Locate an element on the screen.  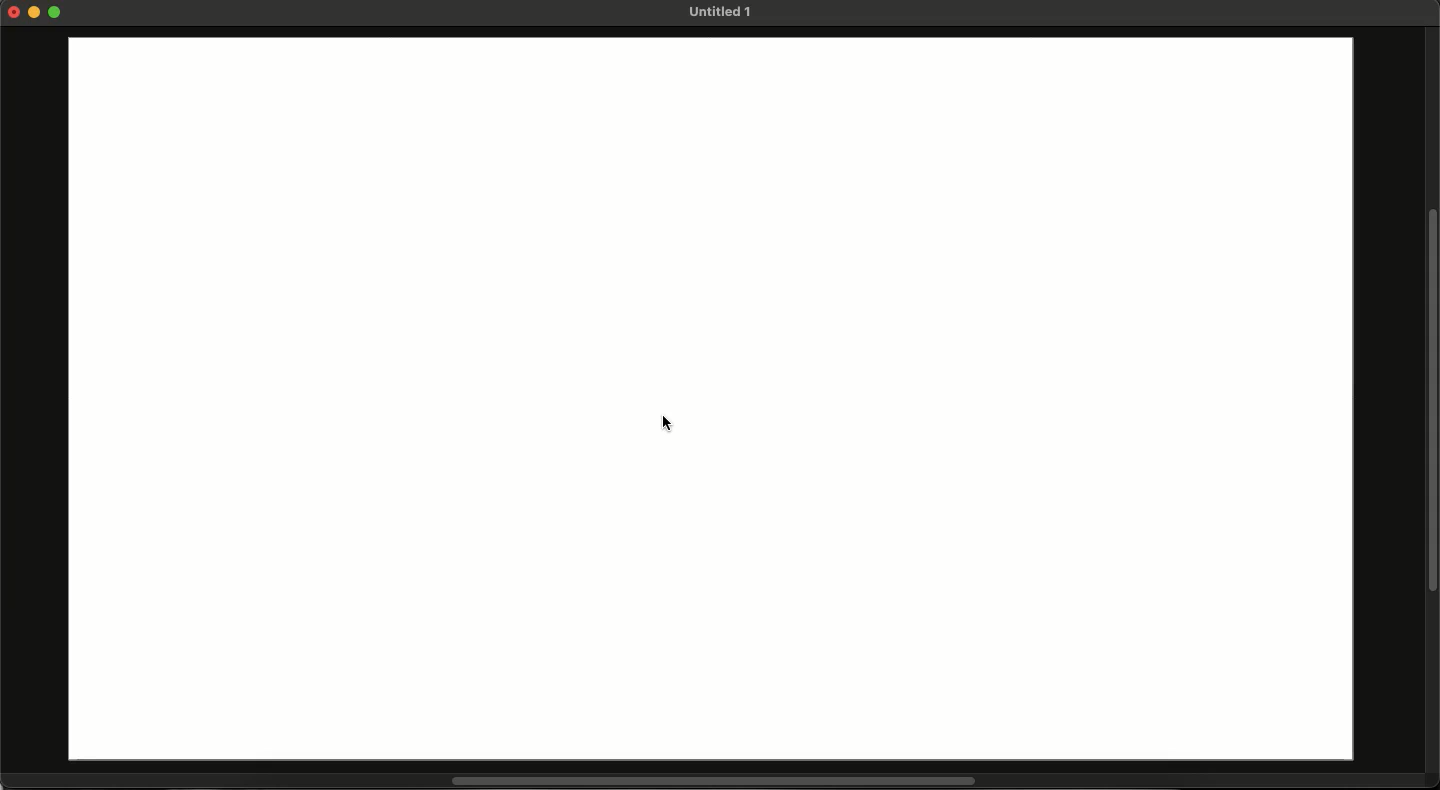
Maximize is located at coordinates (57, 14).